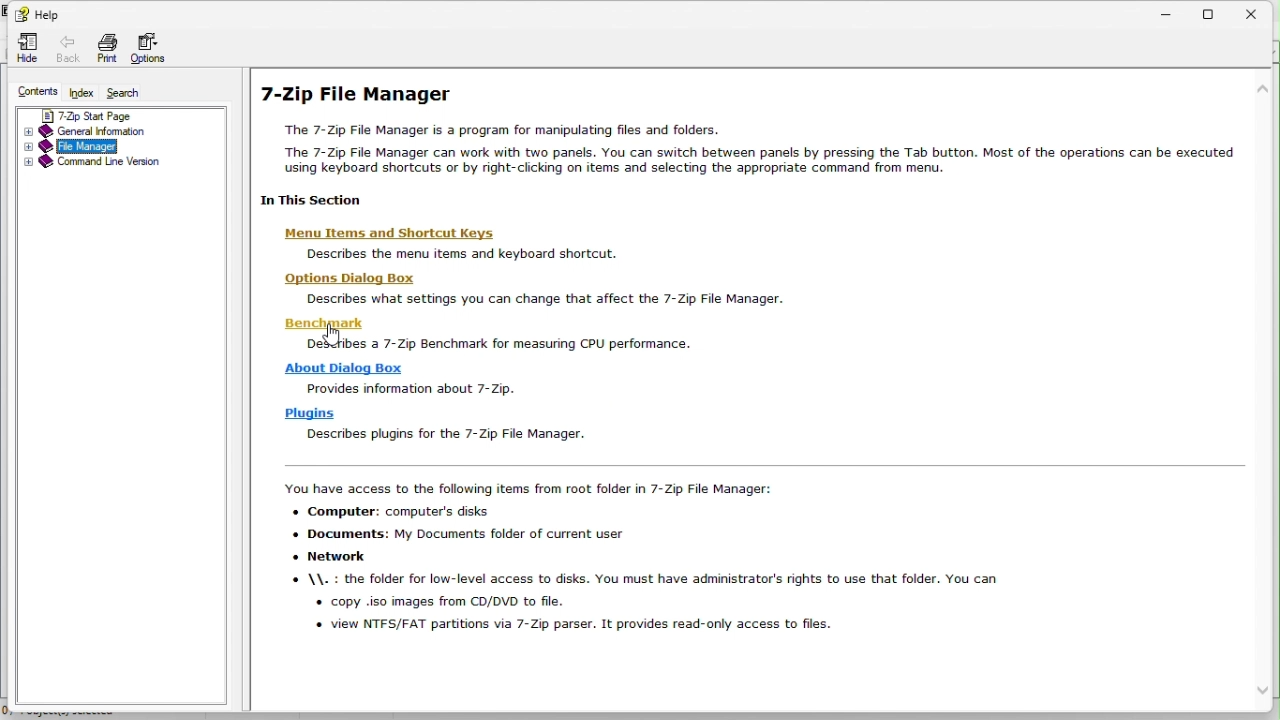  What do you see at coordinates (115, 133) in the screenshot?
I see `General information` at bounding box center [115, 133].